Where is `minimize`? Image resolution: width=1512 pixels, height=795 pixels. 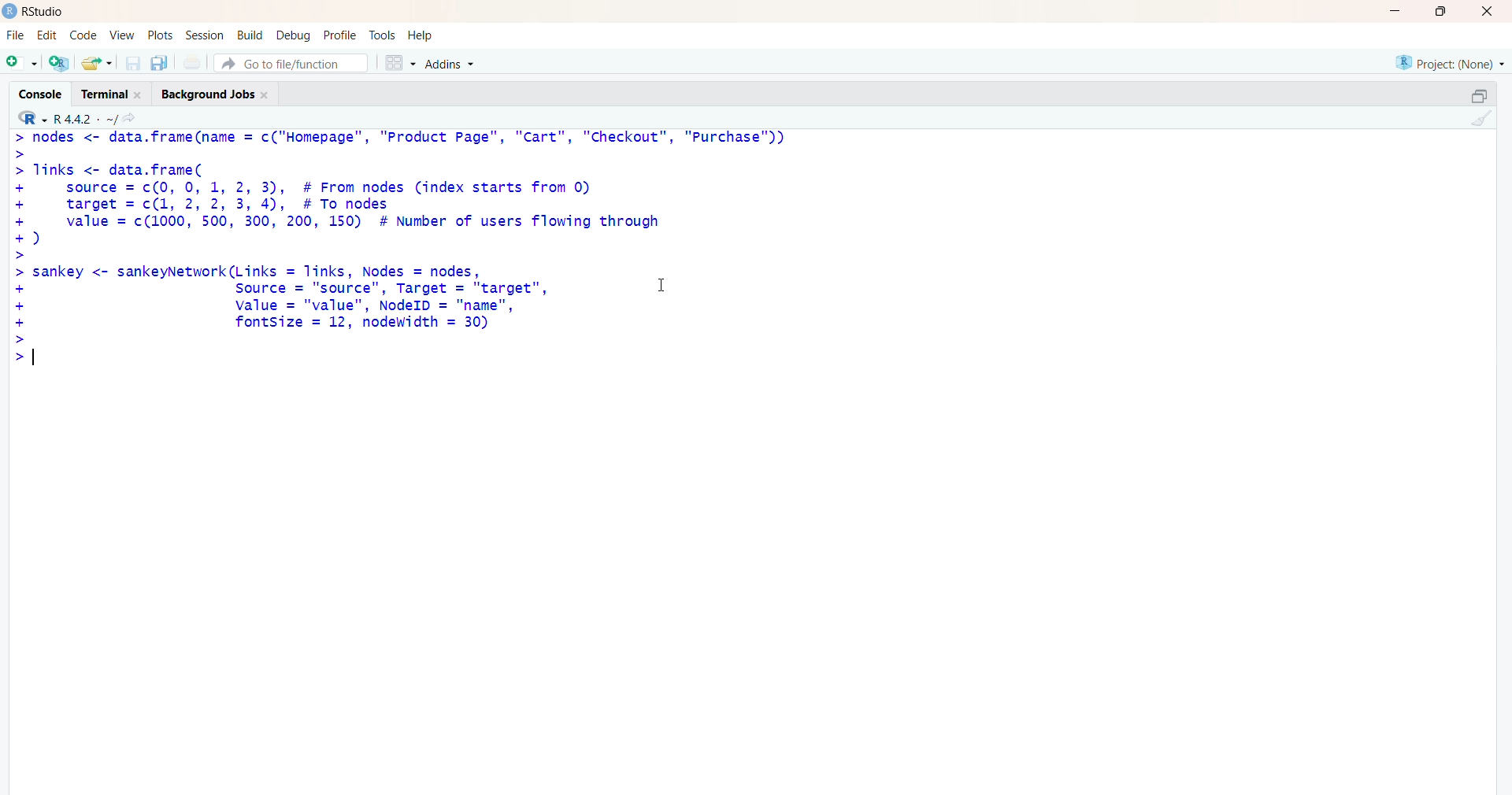 minimize is located at coordinates (1392, 12).